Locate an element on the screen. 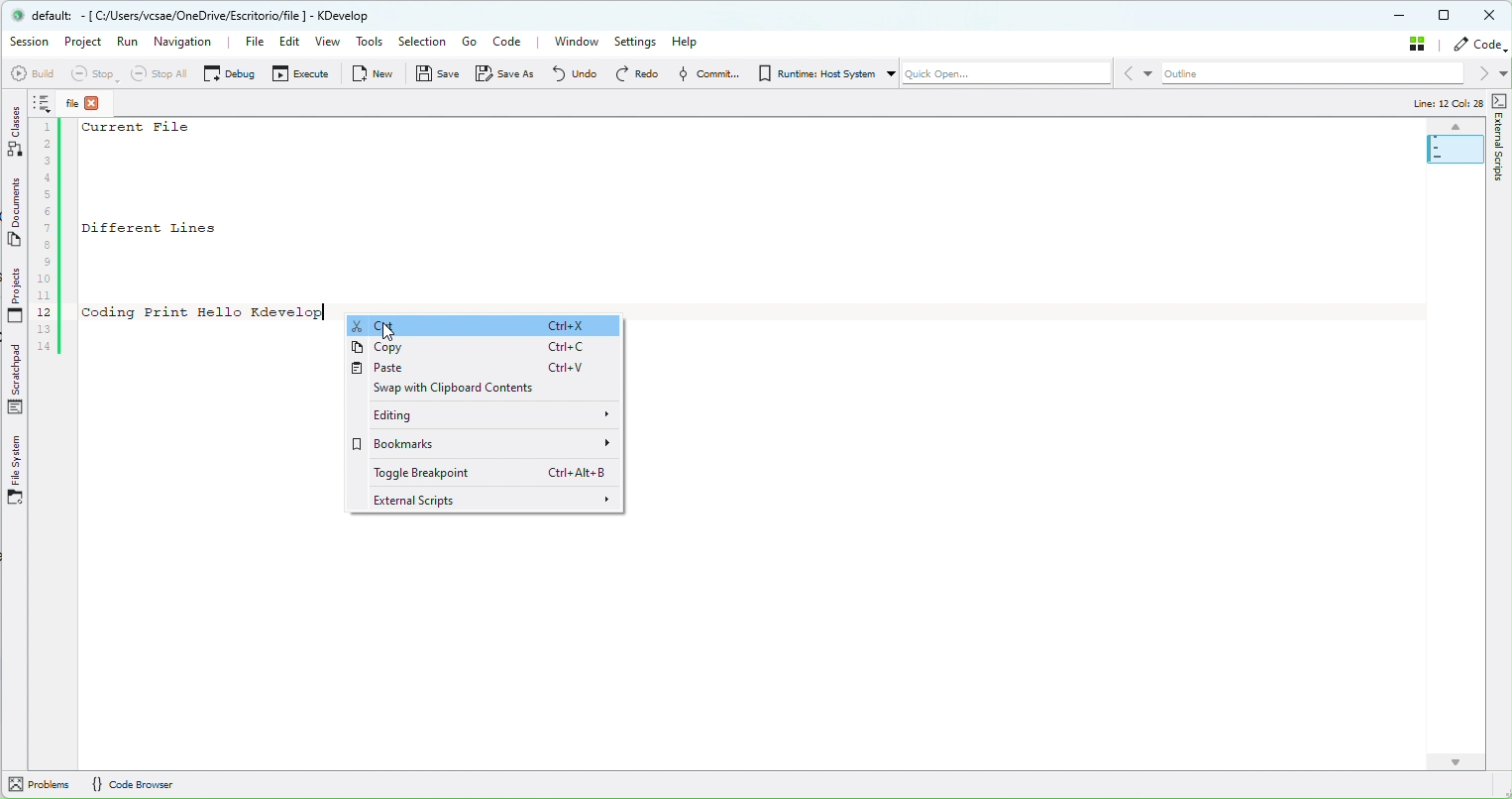  Editing is located at coordinates (486, 417).